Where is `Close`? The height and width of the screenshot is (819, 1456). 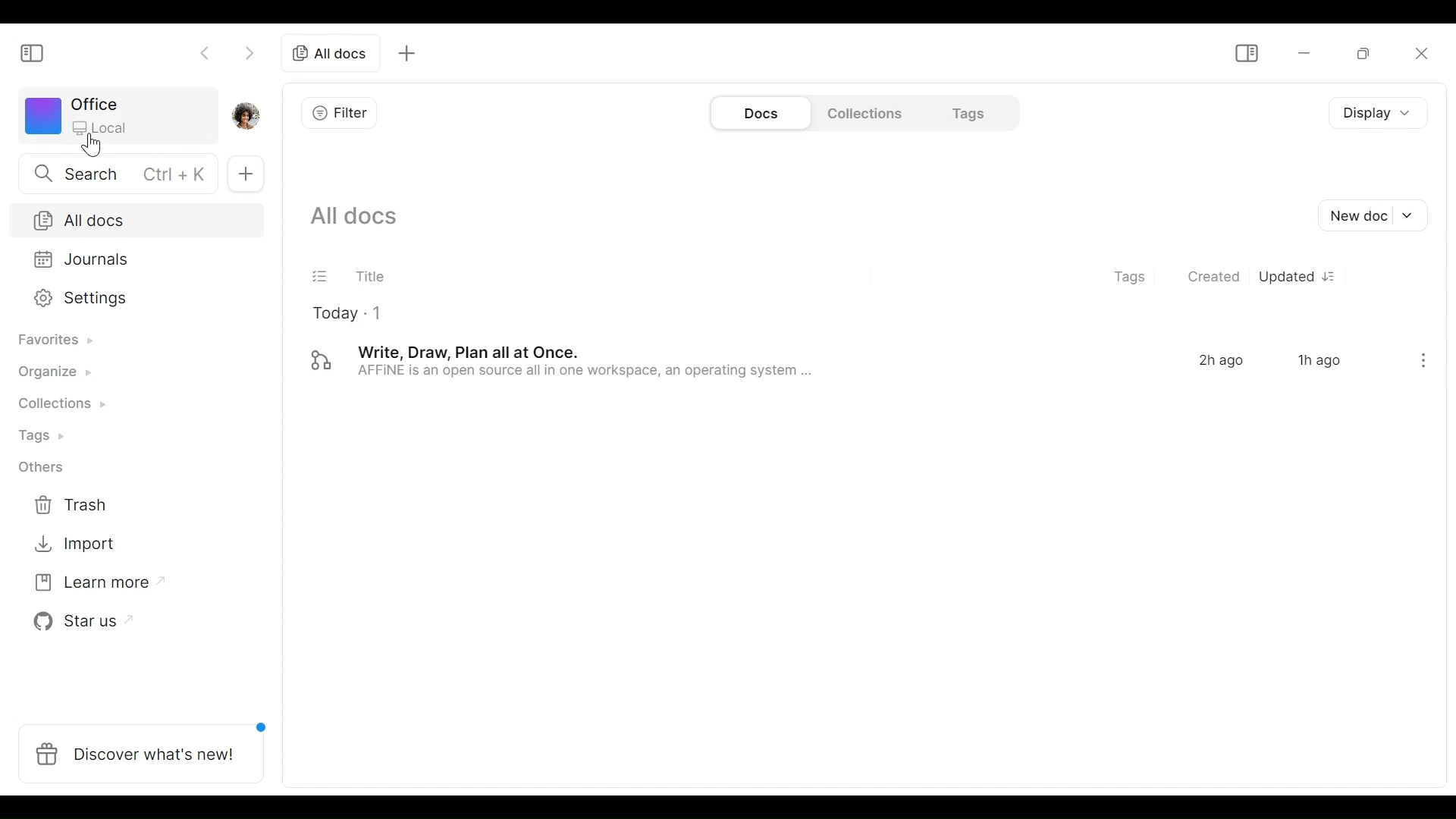 Close is located at coordinates (1421, 52).